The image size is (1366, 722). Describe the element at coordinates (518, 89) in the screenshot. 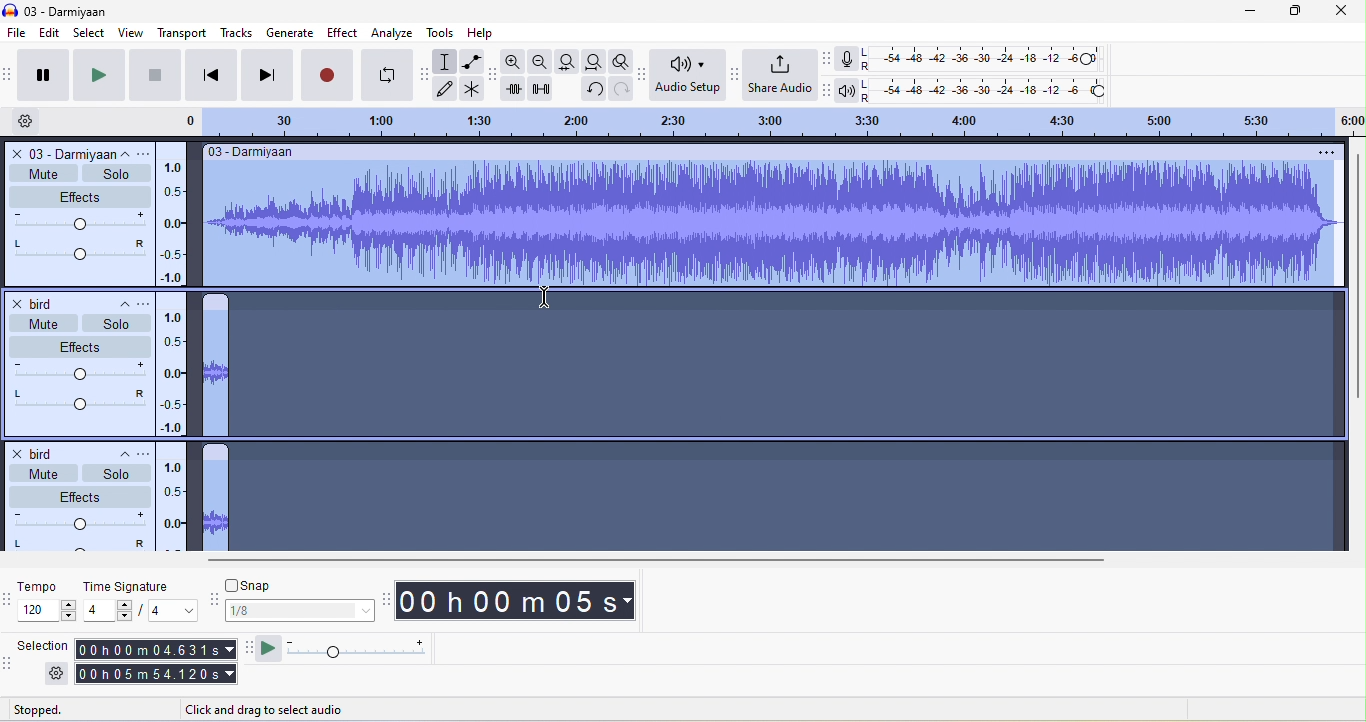

I see `trim audio outside selection` at that location.